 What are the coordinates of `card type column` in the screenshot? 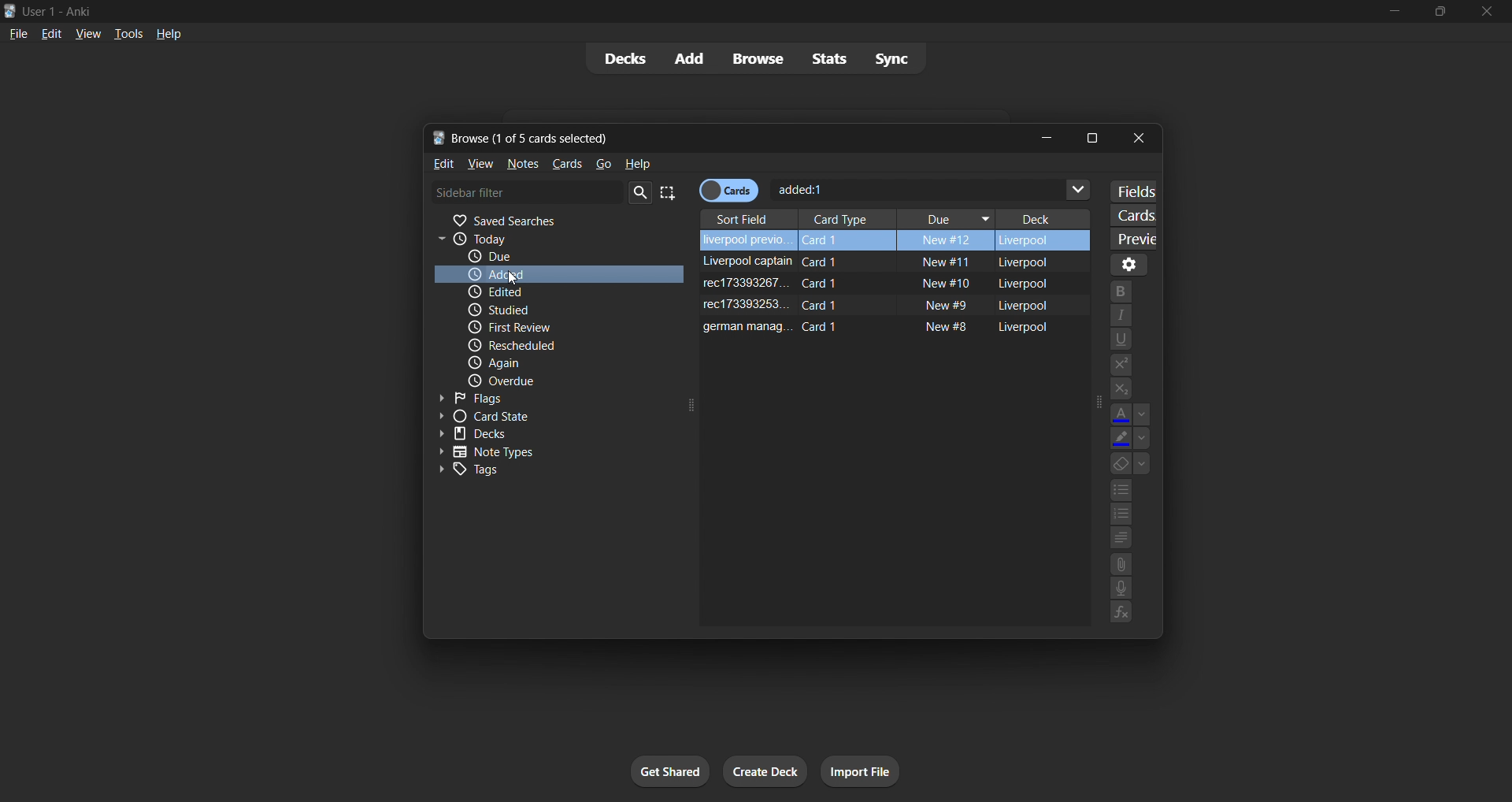 It's located at (844, 215).